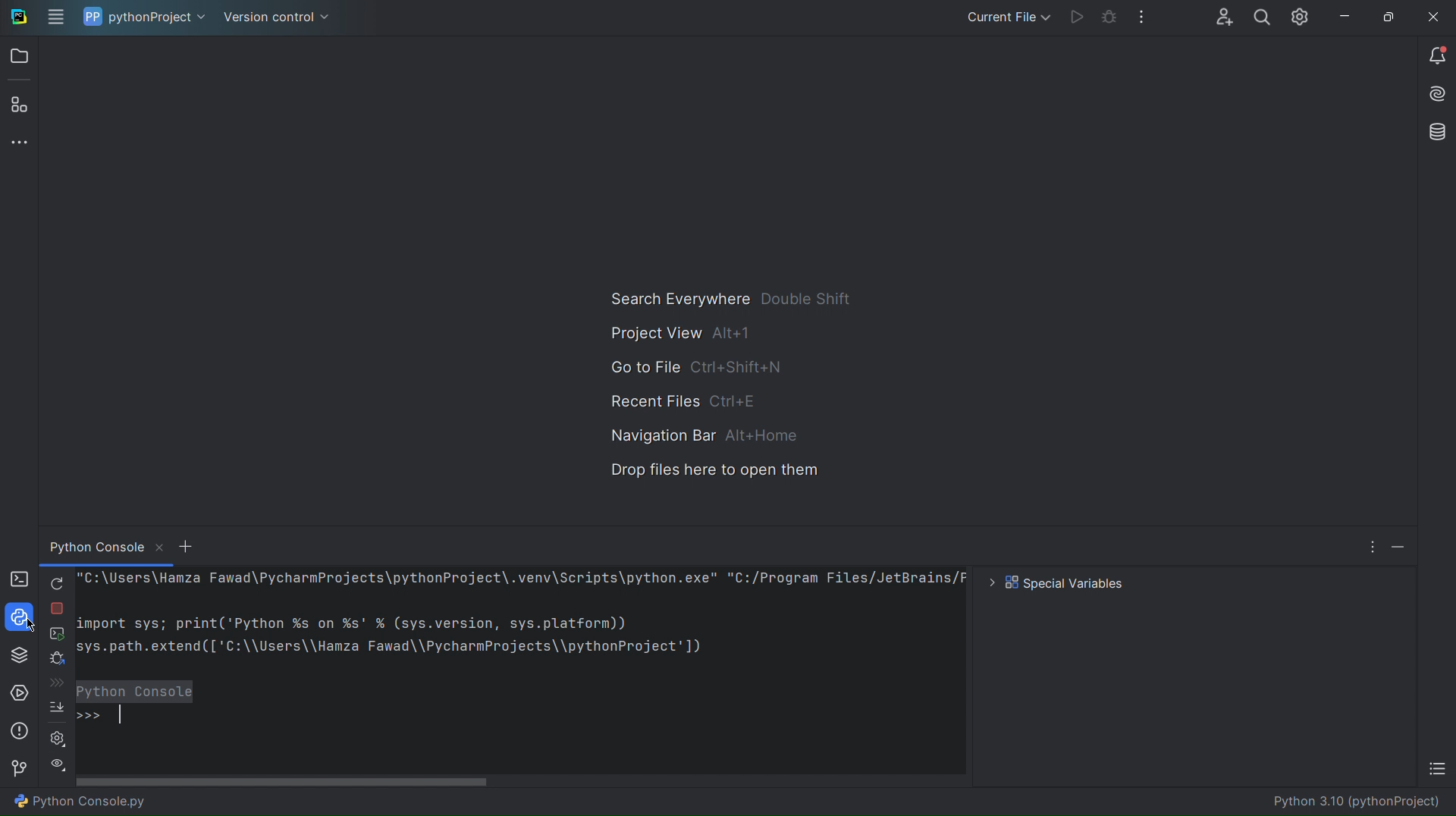 This screenshot has height=816, width=1456. I want to click on Settings, so click(56, 740).